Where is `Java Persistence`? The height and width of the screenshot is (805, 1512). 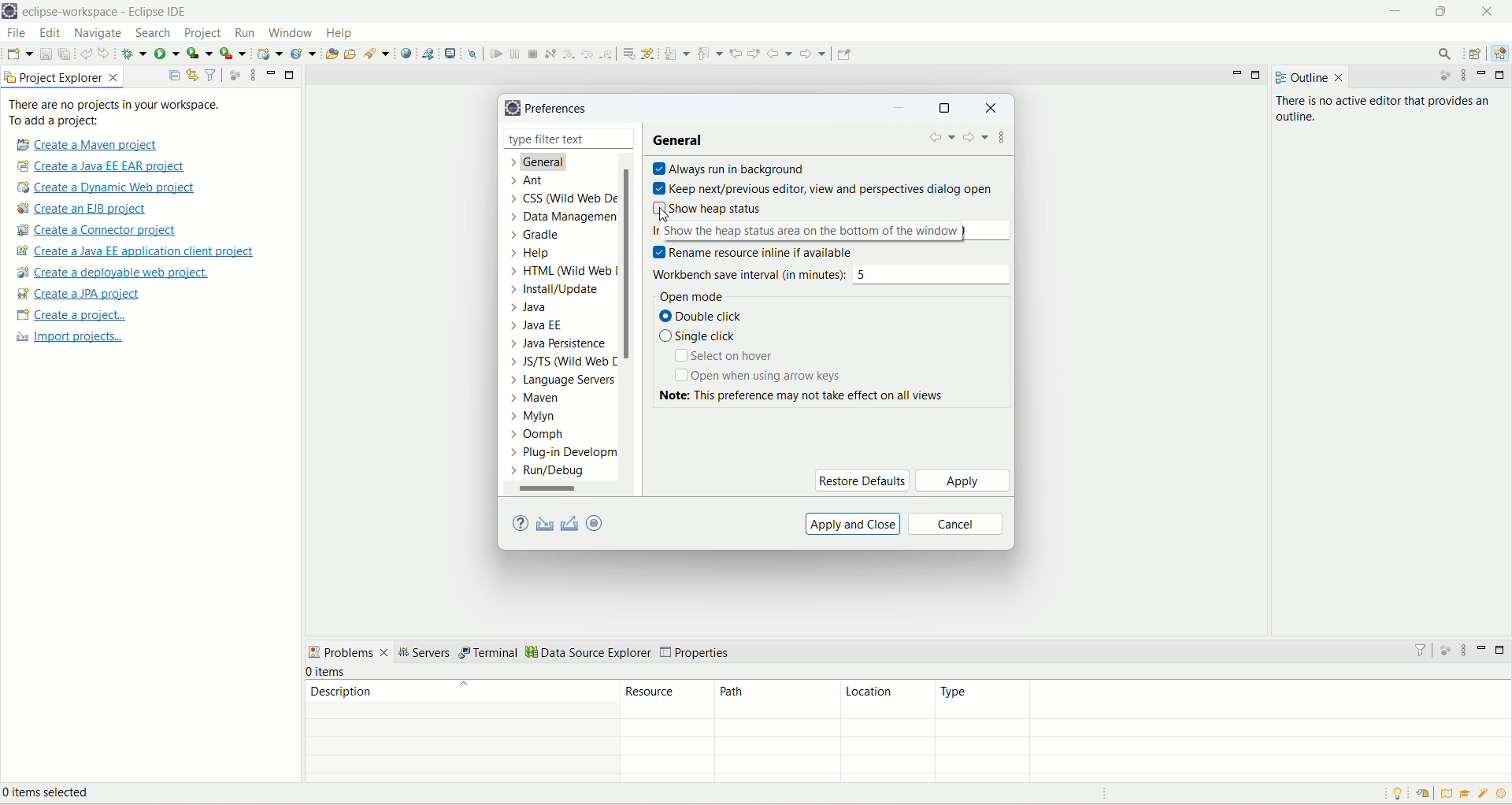 Java Persistence is located at coordinates (561, 346).